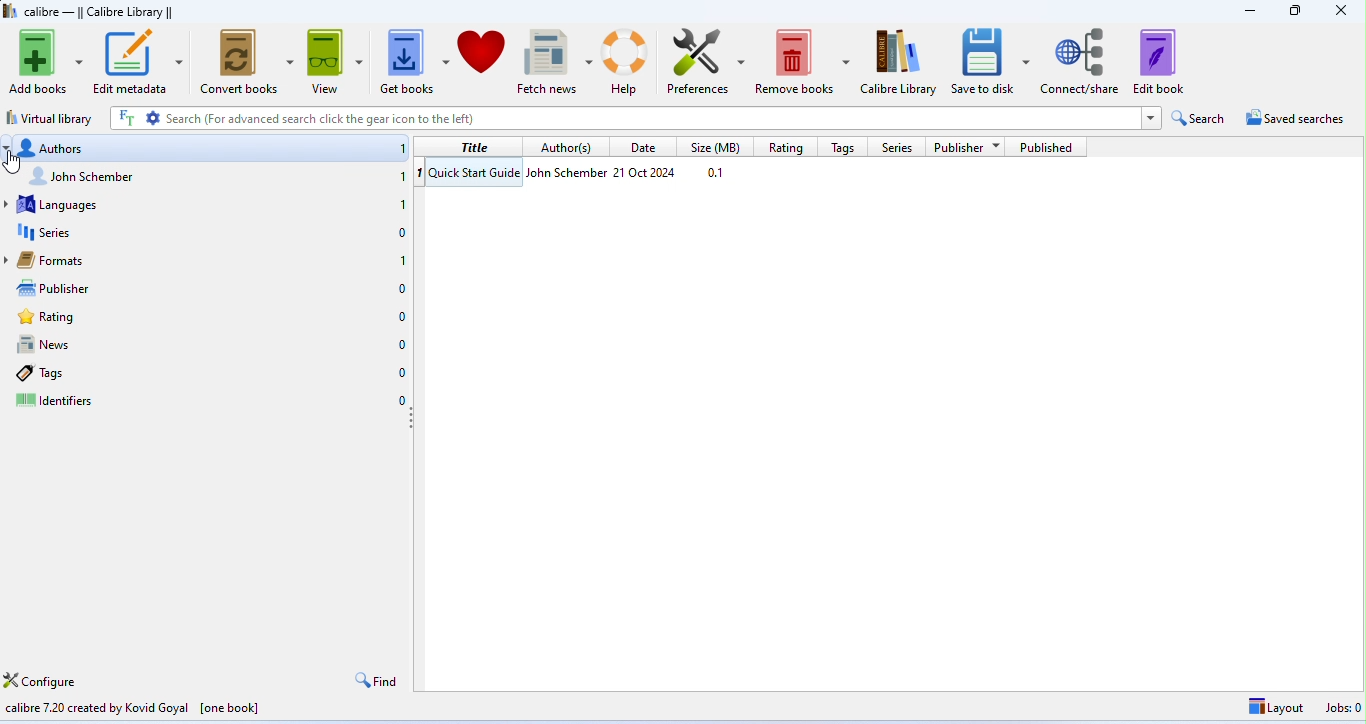 The width and height of the screenshot is (1366, 724). I want to click on configure, so click(41, 677).